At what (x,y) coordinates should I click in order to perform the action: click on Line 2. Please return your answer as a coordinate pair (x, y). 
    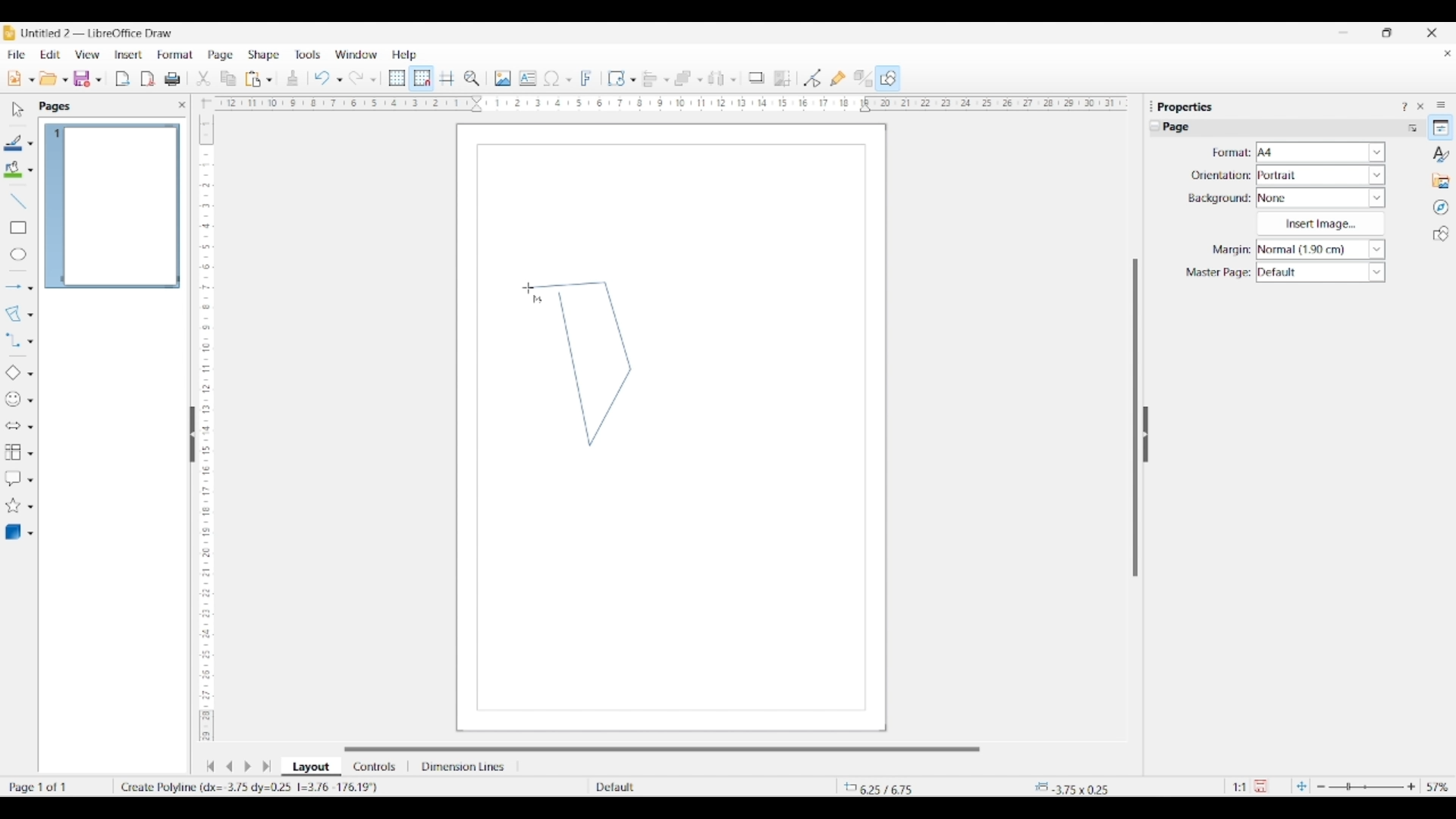
    Looking at the image, I should click on (610, 406).